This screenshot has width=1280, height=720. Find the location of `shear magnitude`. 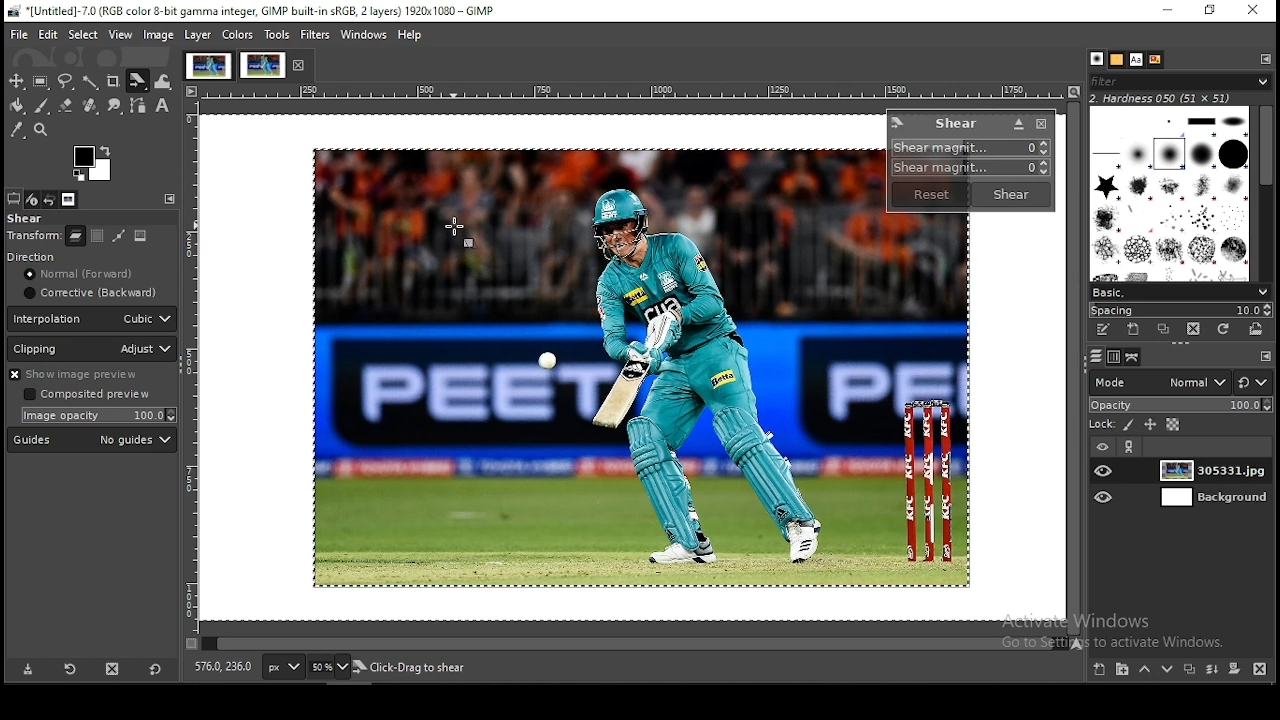

shear magnitude is located at coordinates (967, 169).